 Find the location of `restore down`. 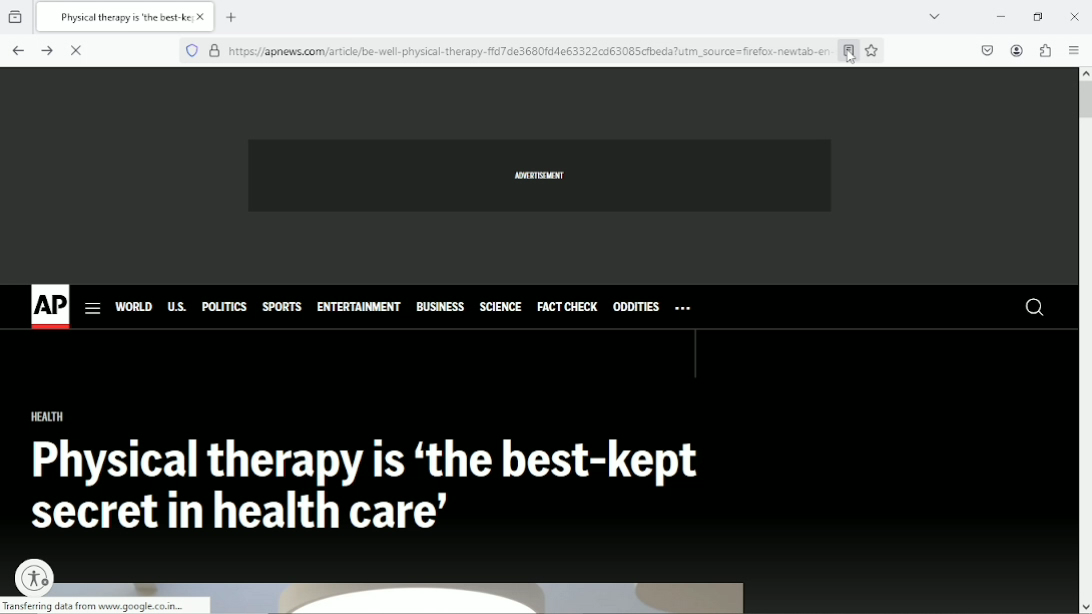

restore down is located at coordinates (1038, 16).